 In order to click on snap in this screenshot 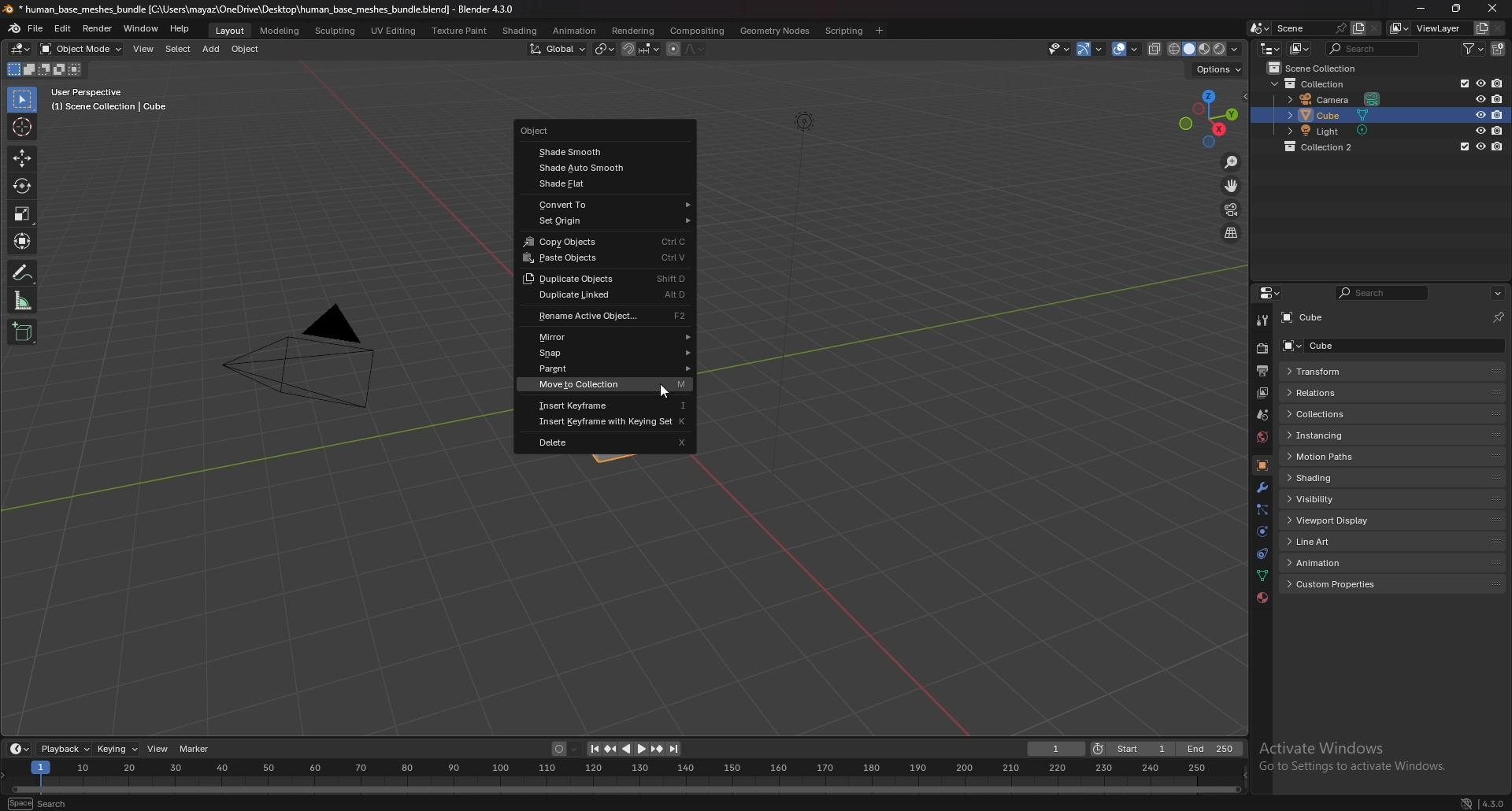, I will do `click(610, 353)`.